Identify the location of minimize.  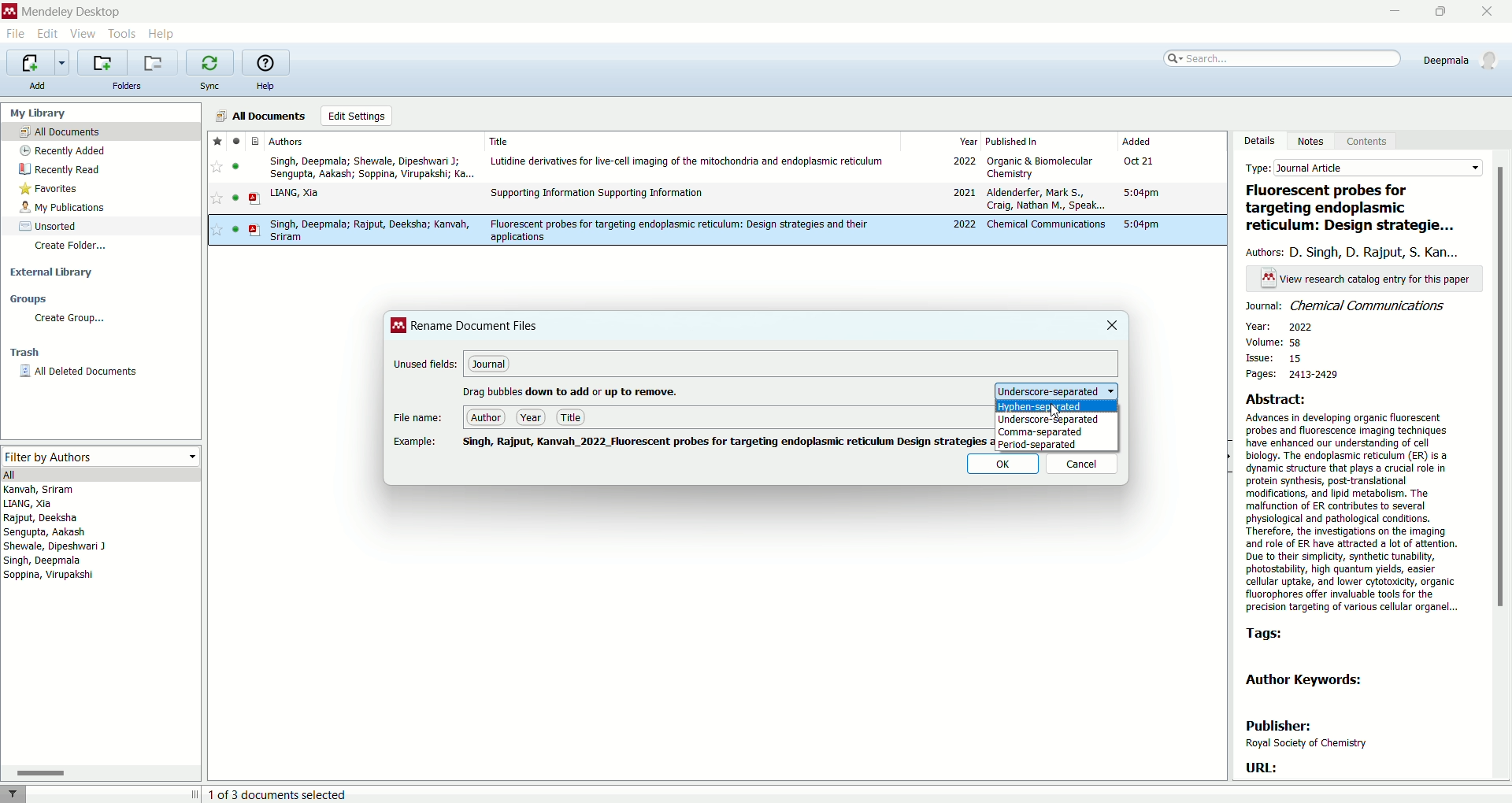
(1392, 12).